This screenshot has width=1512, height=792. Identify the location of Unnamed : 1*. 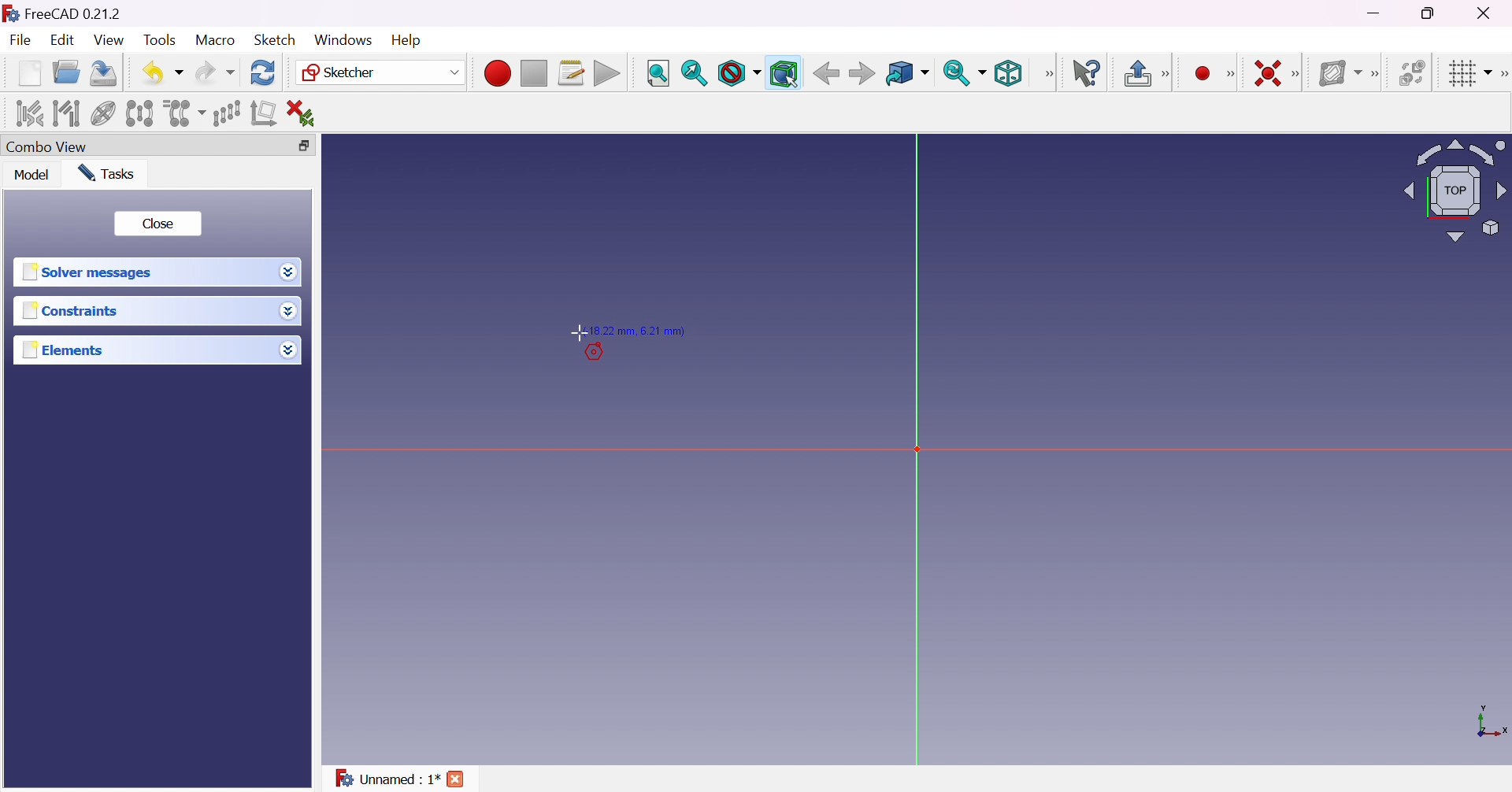
(387, 779).